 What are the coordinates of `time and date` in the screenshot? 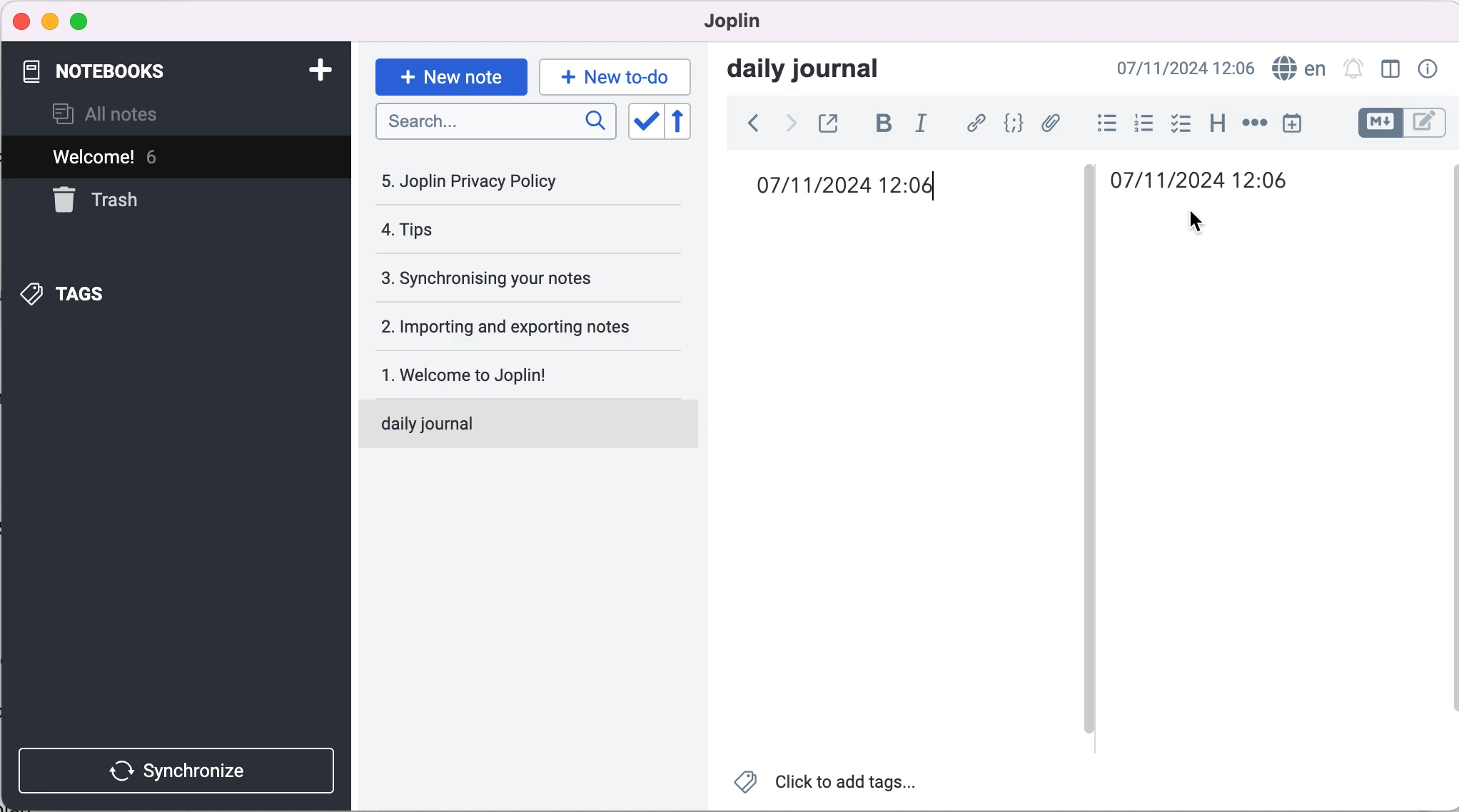 It's located at (1186, 69).